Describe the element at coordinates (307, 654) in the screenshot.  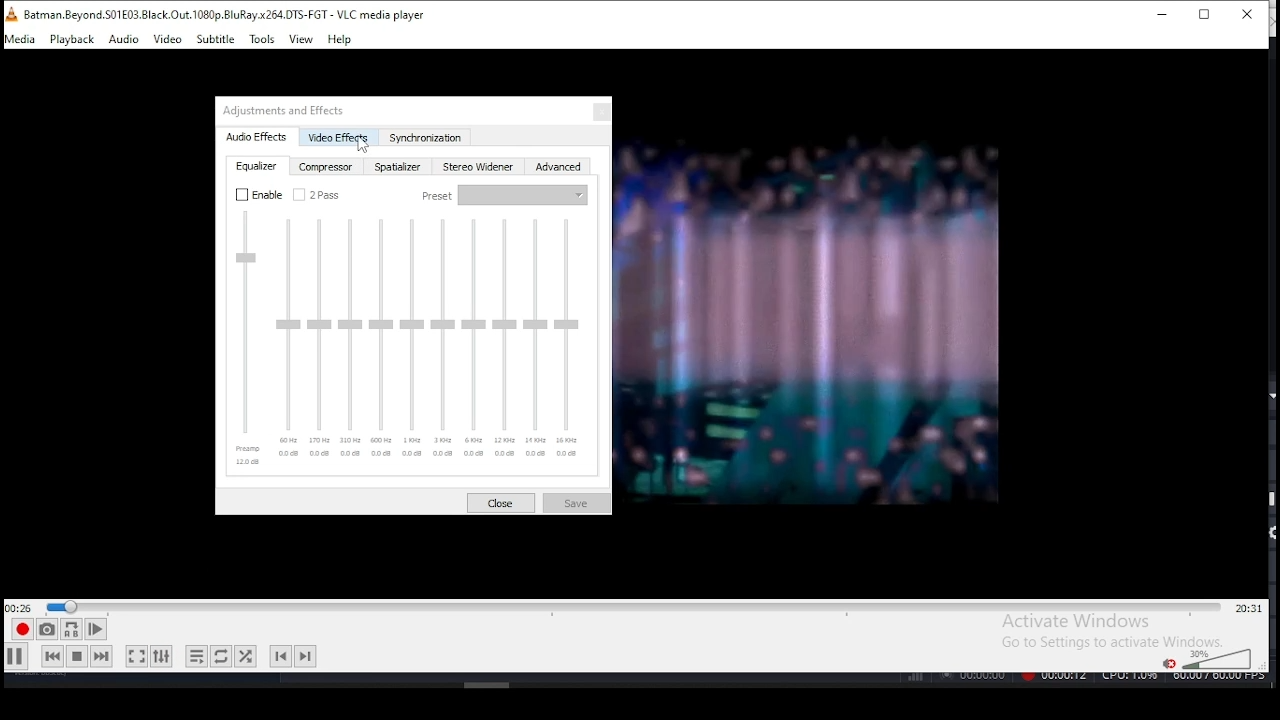
I see `next chapter` at that location.